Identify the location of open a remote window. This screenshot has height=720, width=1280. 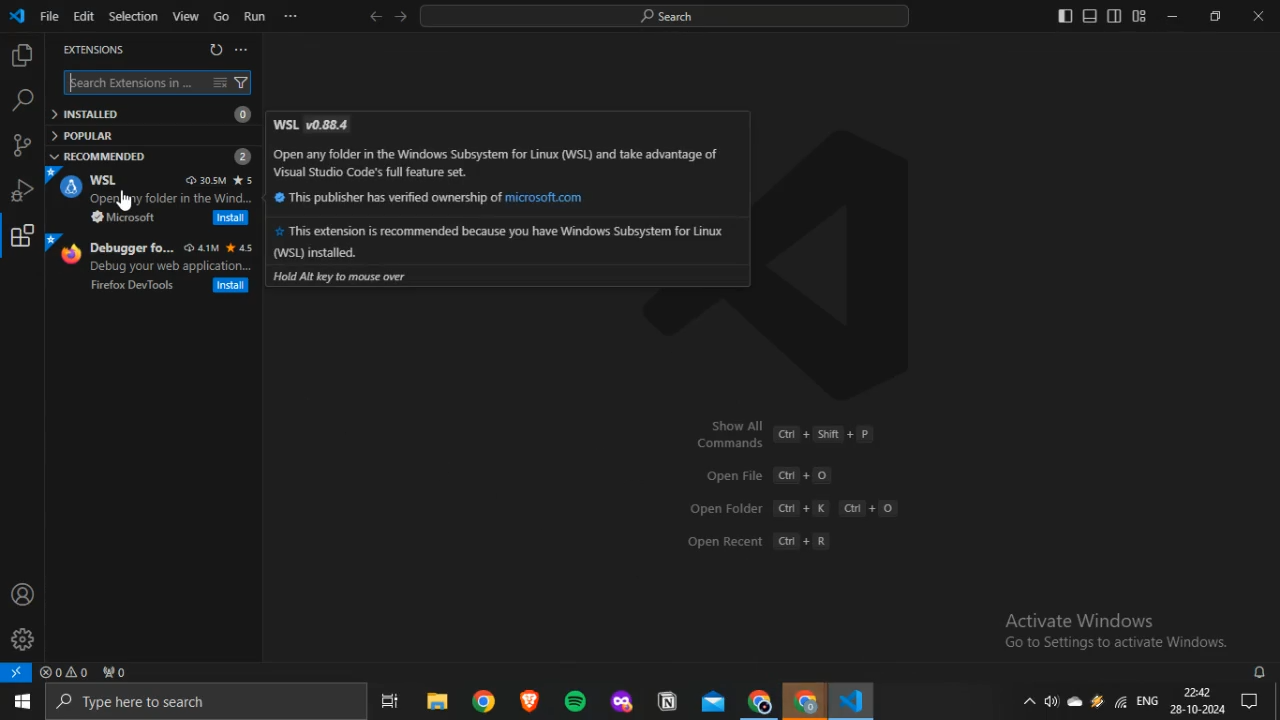
(17, 672).